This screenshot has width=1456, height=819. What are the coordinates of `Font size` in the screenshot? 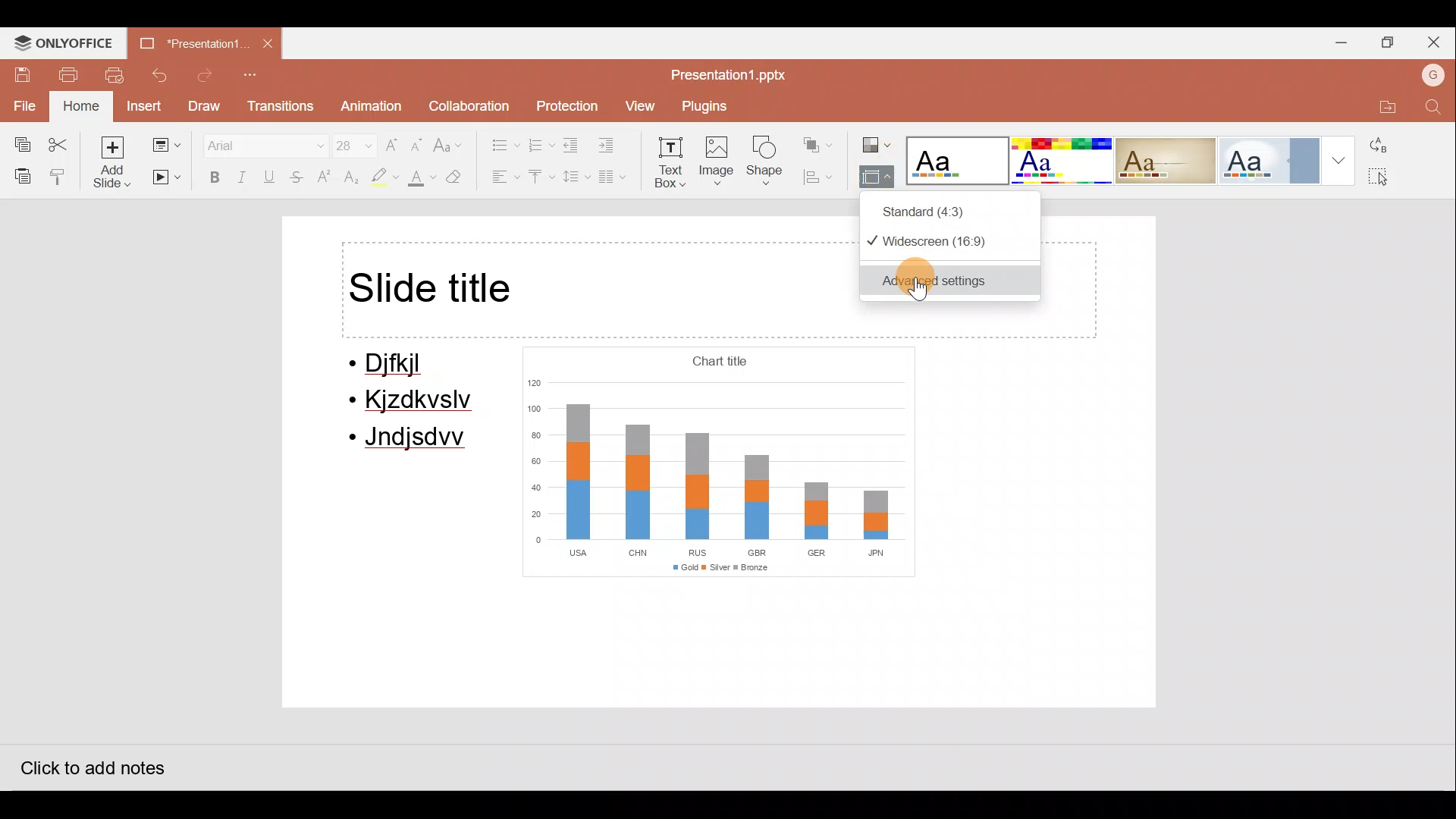 It's located at (346, 142).